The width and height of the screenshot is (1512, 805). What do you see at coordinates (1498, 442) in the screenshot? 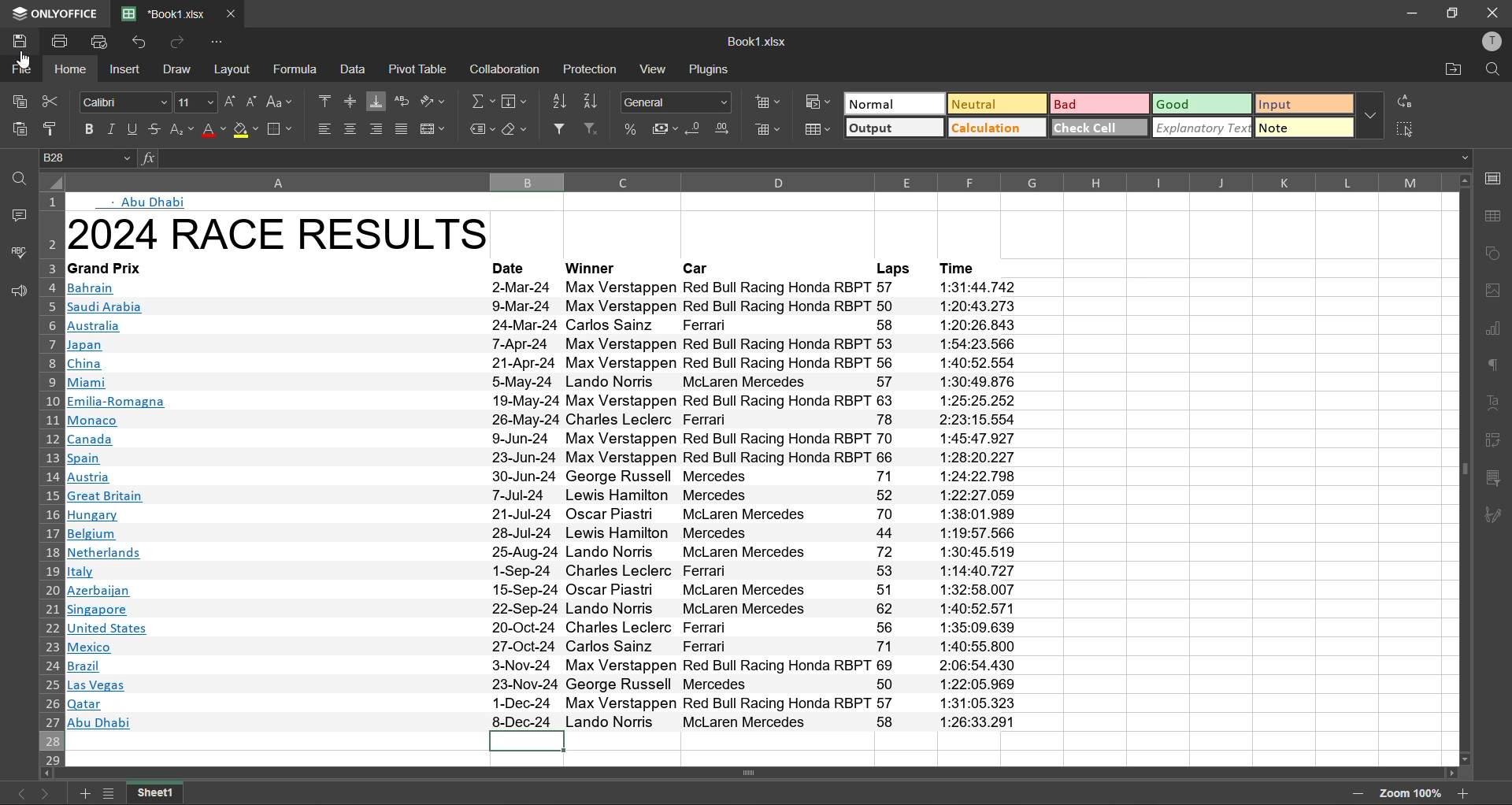
I see `pivot table` at bounding box center [1498, 442].